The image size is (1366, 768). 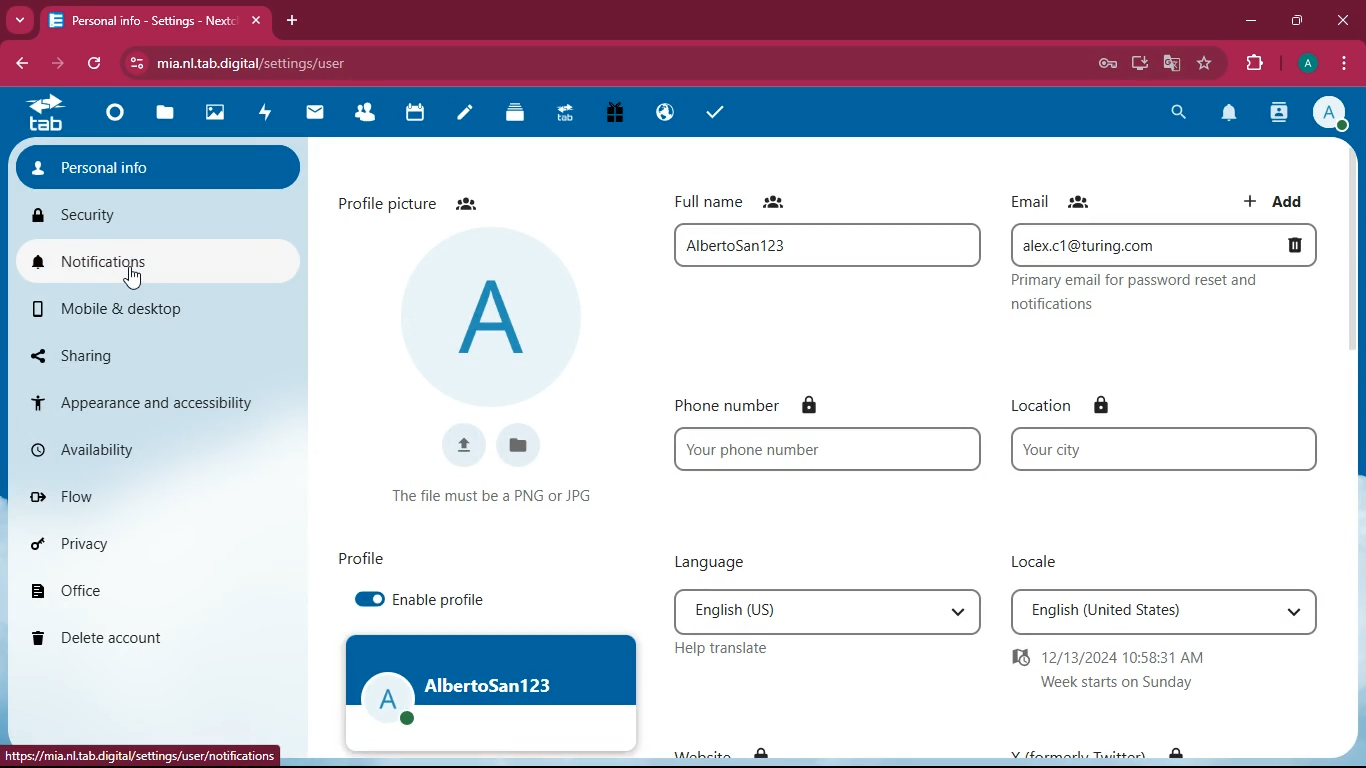 What do you see at coordinates (616, 115) in the screenshot?
I see `gift` at bounding box center [616, 115].